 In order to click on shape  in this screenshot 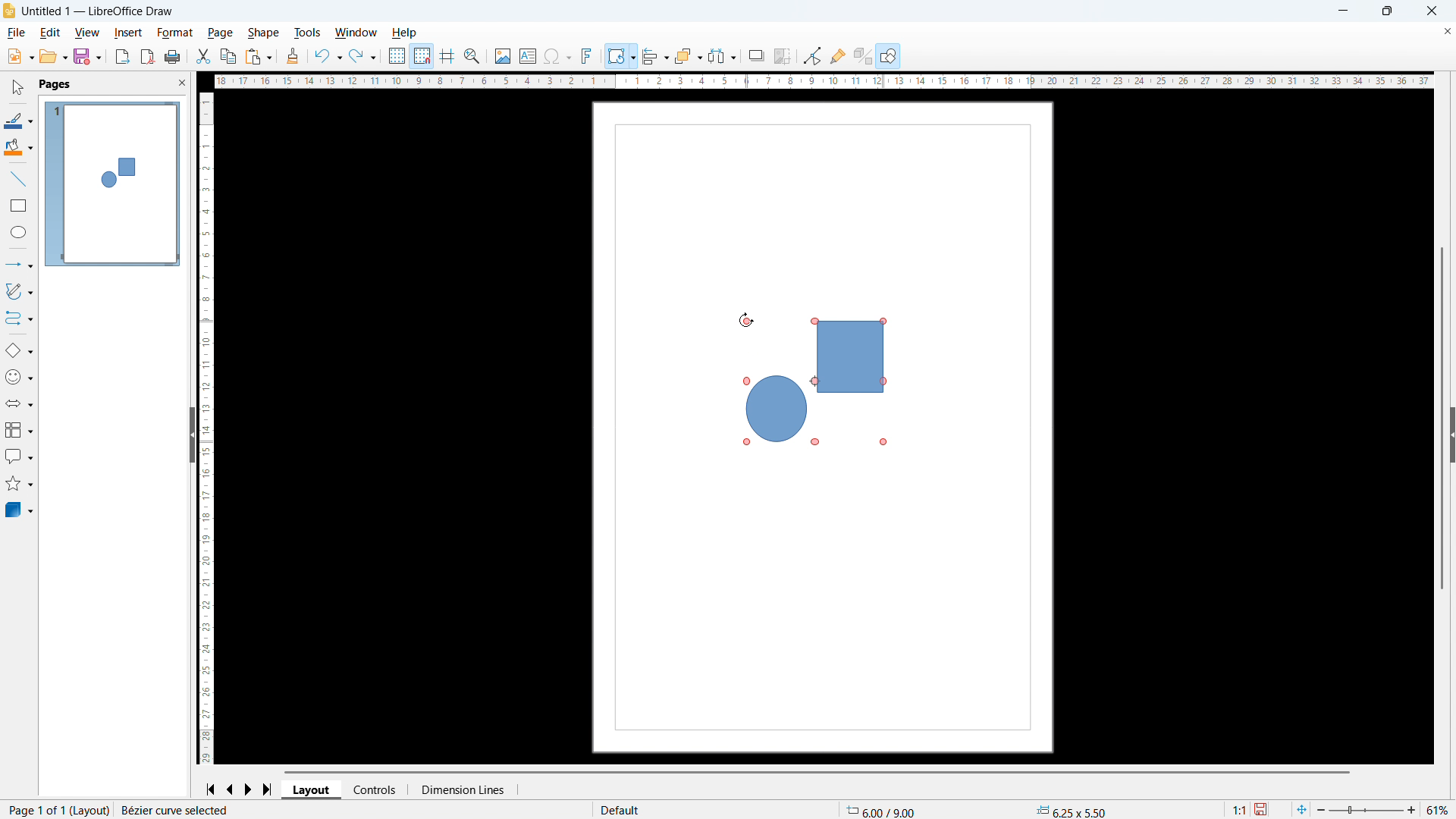, I will do `click(264, 33)`.